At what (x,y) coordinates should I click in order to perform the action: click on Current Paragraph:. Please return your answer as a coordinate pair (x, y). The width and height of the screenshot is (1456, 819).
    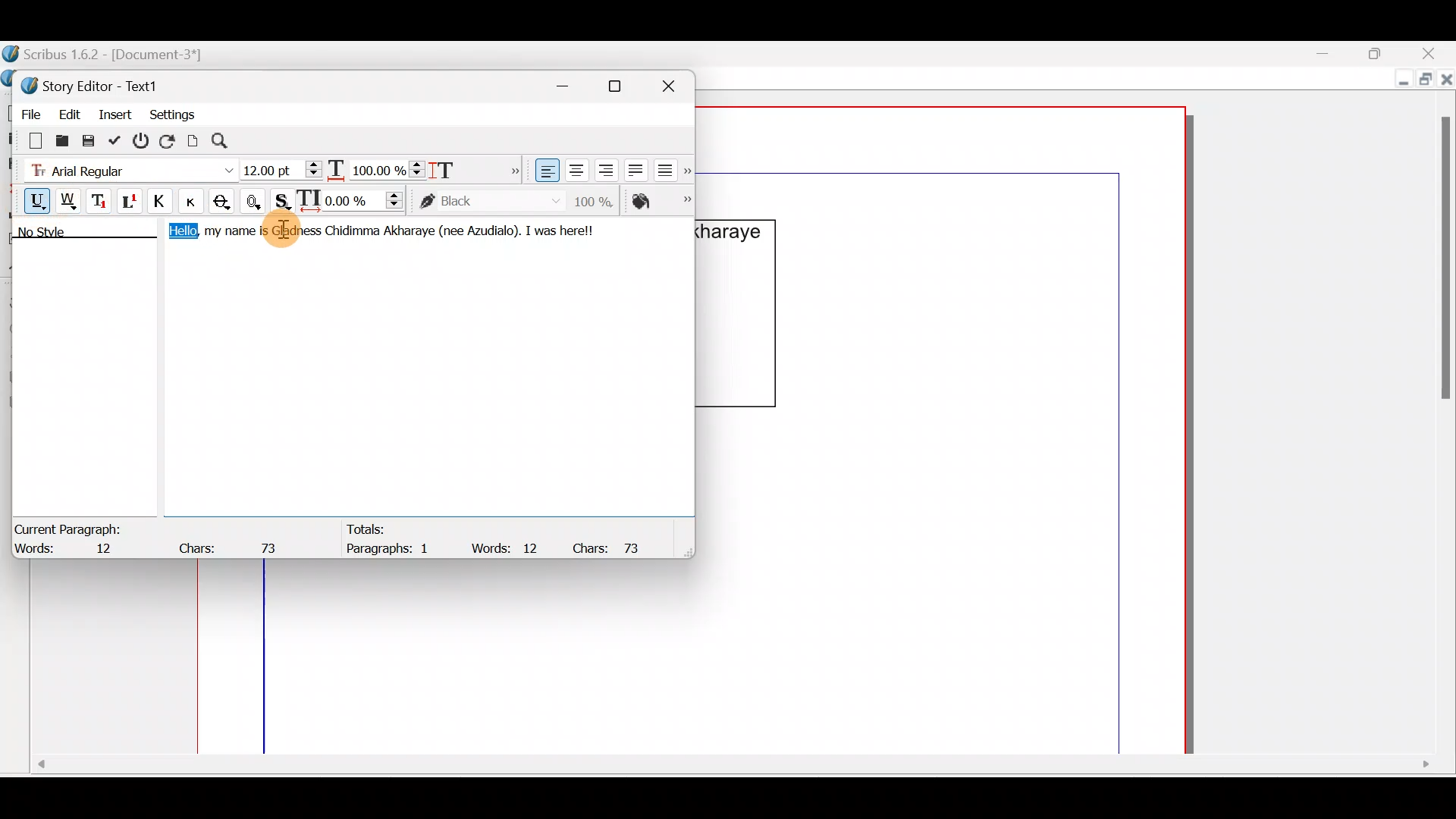
    Looking at the image, I should click on (70, 527).